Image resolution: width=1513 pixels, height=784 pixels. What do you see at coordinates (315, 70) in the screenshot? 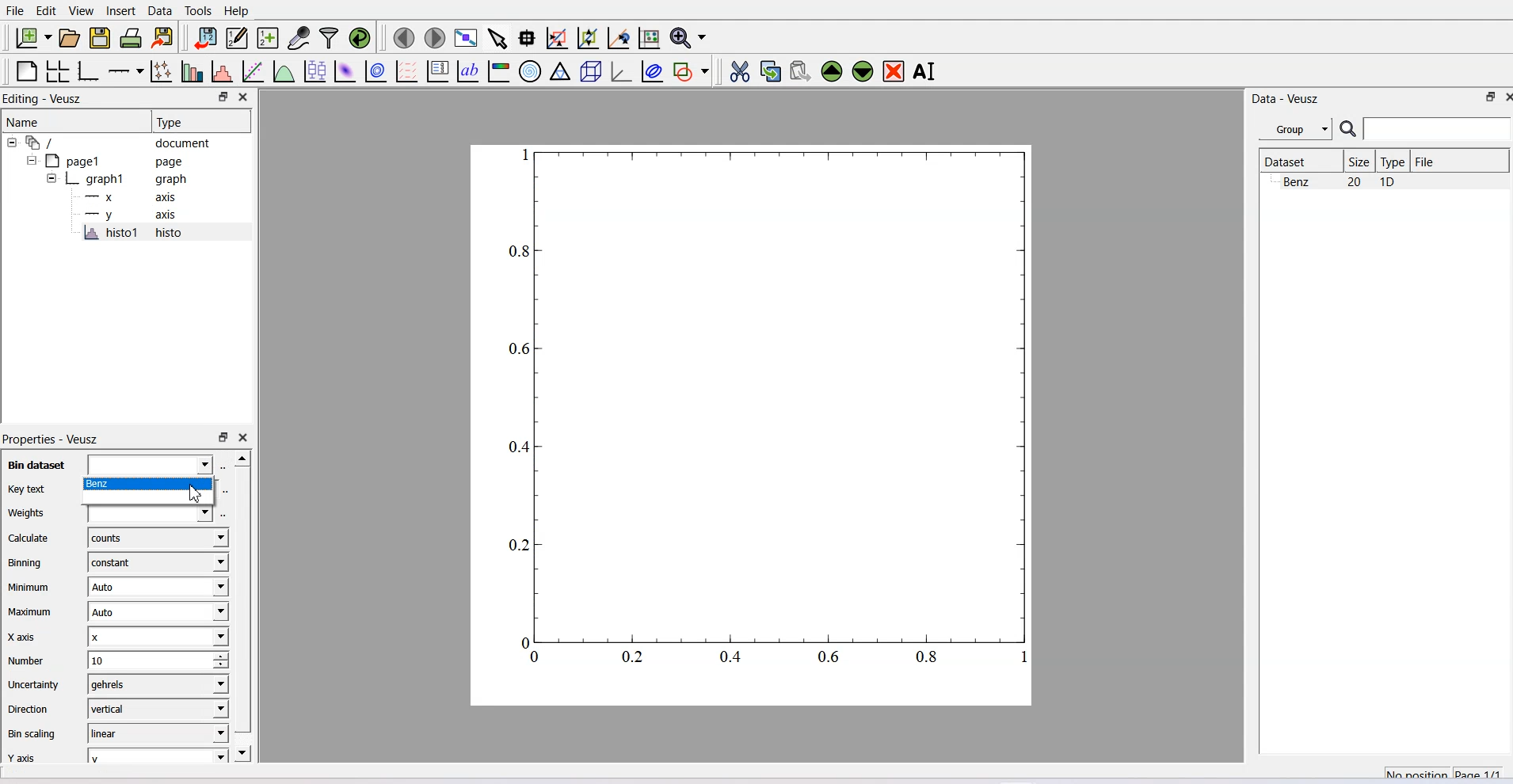
I see `Plot box plots` at bounding box center [315, 70].